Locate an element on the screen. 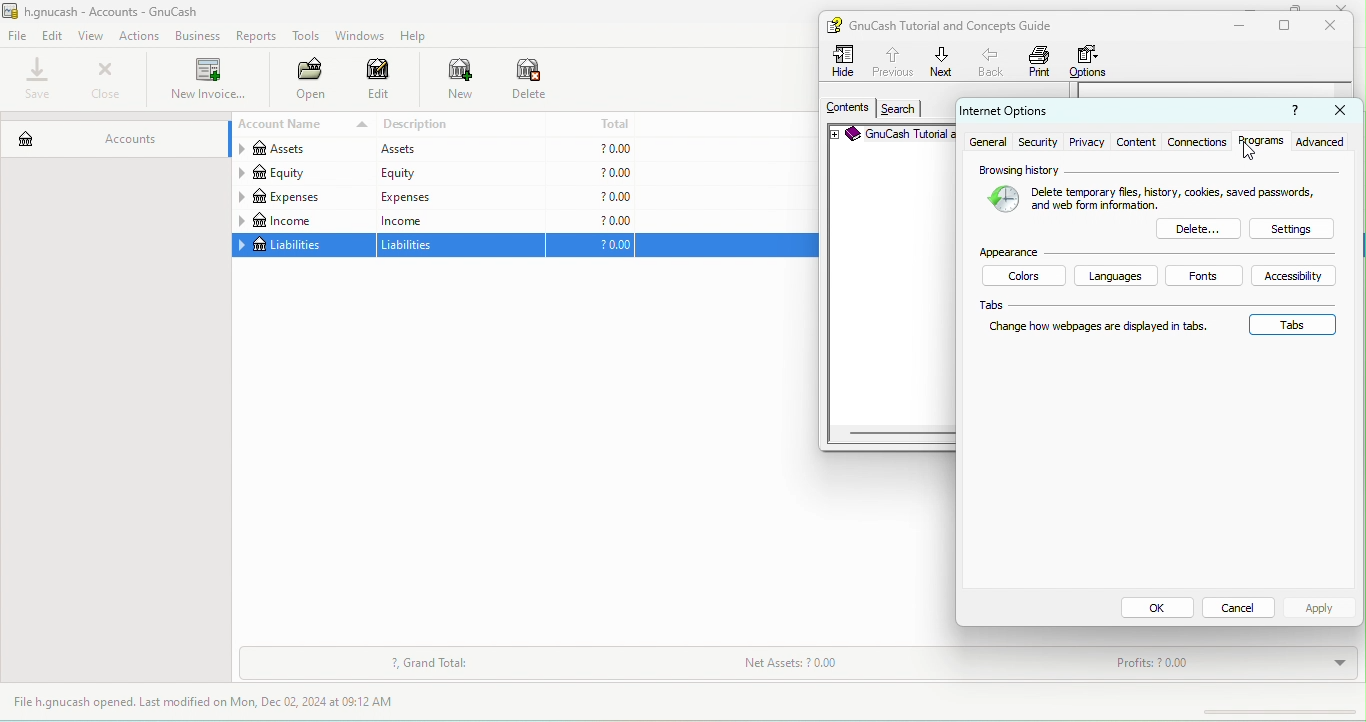 This screenshot has height=722, width=1366. income is located at coordinates (458, 220).